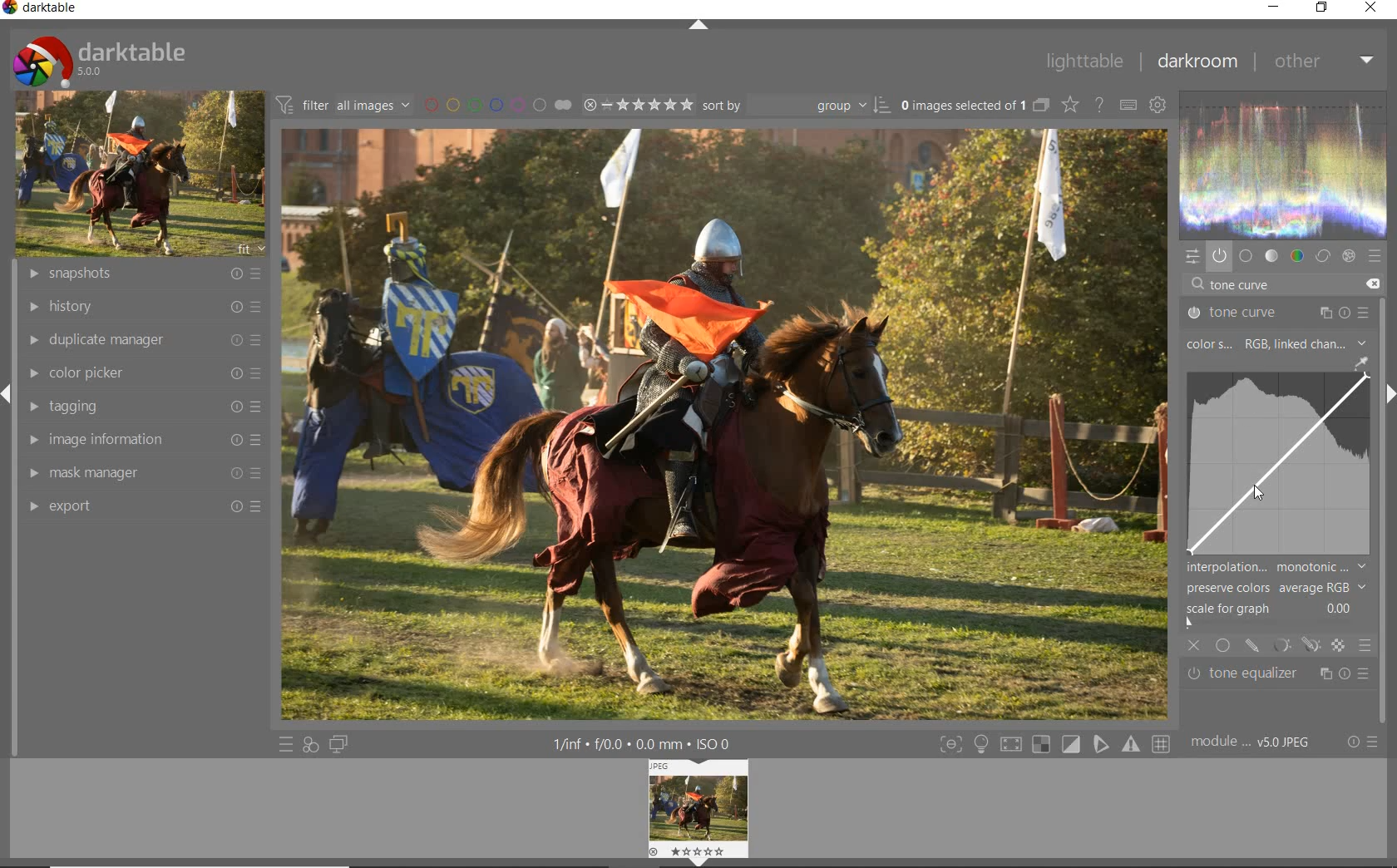  Describe the element at coordinates (1243, 286) in the screenshot. I see `input value` at that location.